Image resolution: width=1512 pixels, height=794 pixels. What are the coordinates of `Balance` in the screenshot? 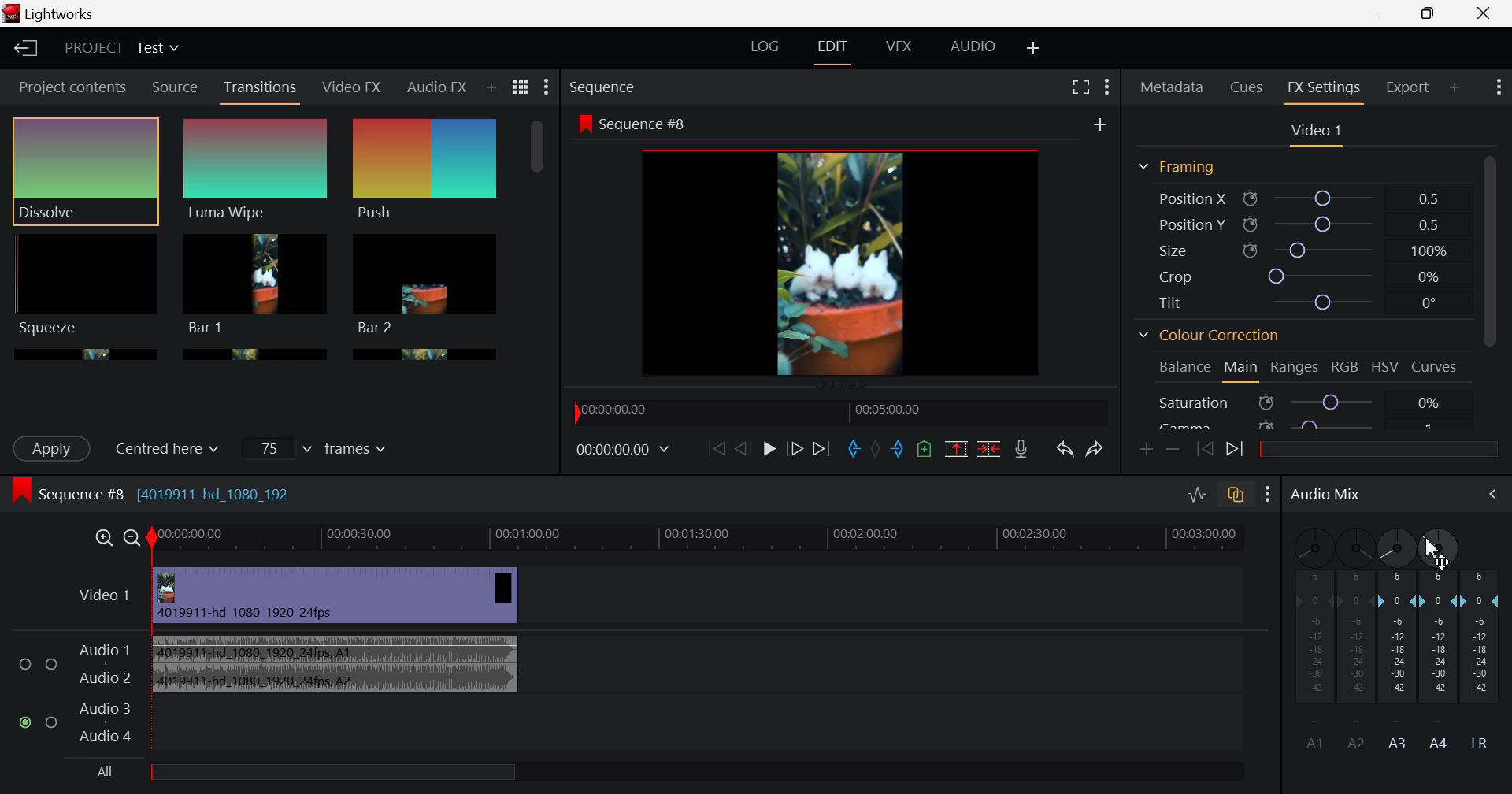 It's located at (1183, 368).